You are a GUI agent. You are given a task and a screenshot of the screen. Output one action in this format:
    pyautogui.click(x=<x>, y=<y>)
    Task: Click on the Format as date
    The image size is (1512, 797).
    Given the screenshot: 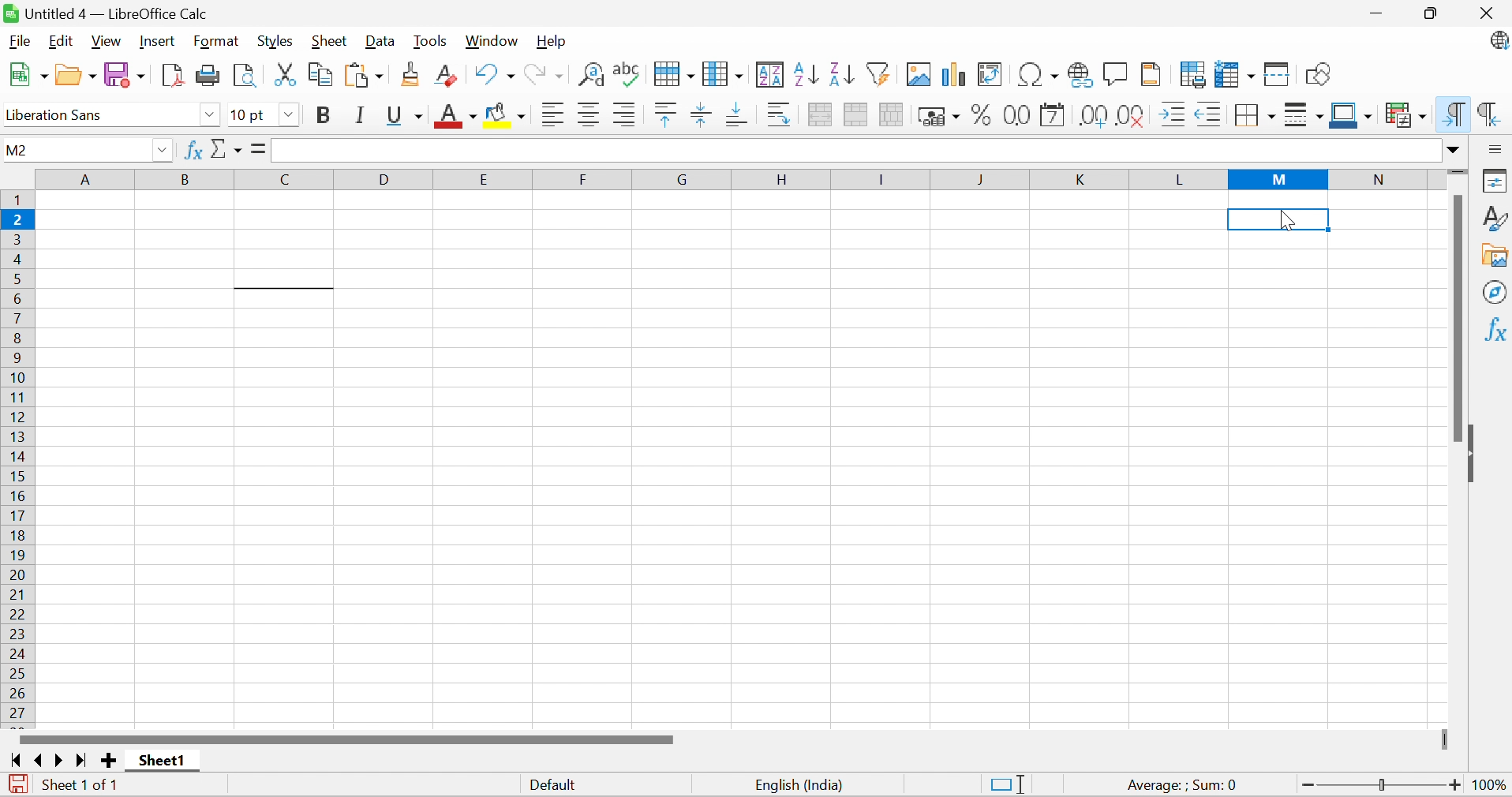 What is the action you would take?
    pyautogui.click(x=1053, y=118)
    